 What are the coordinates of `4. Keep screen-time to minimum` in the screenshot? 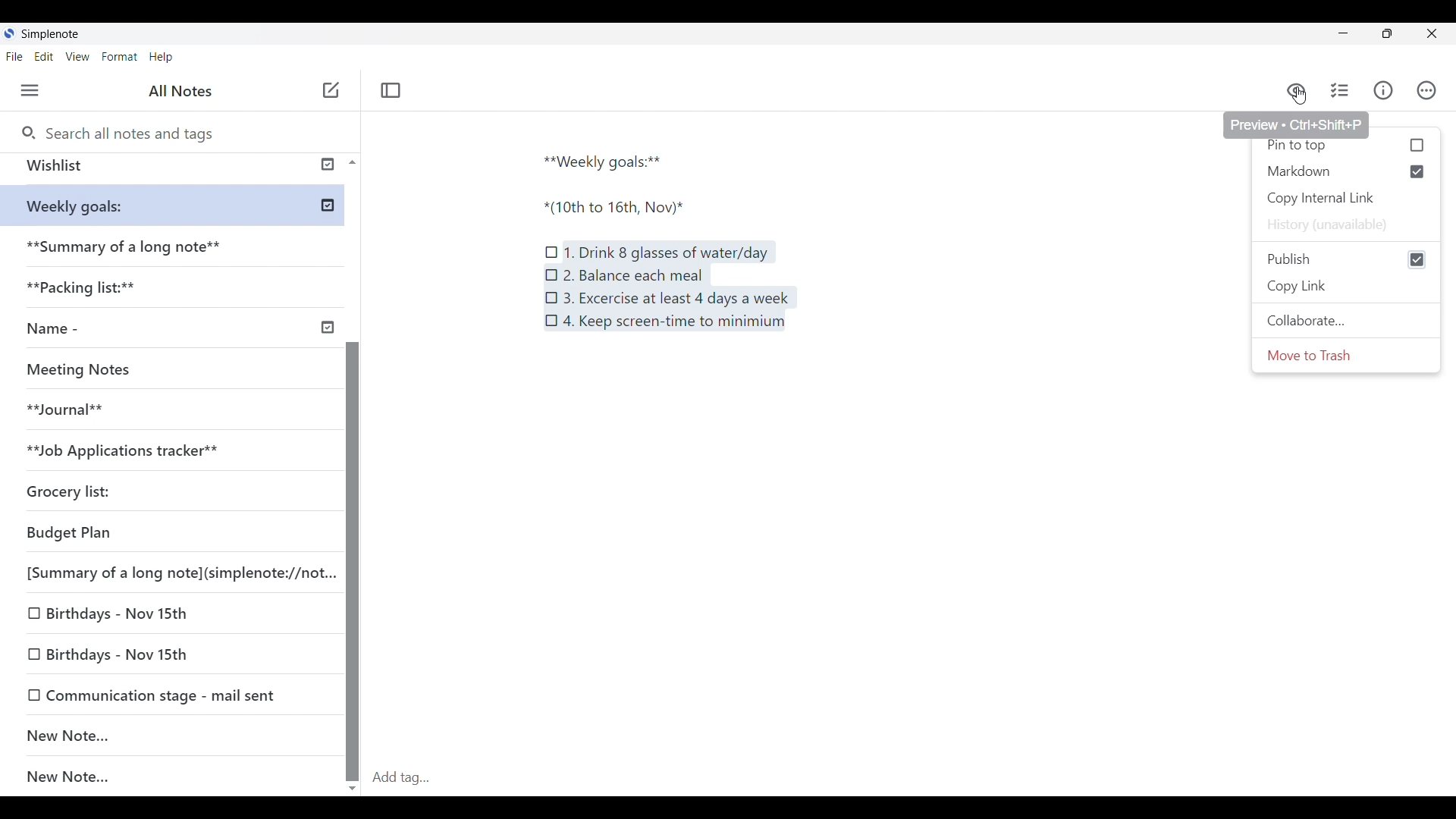 It's located at (679, 326).